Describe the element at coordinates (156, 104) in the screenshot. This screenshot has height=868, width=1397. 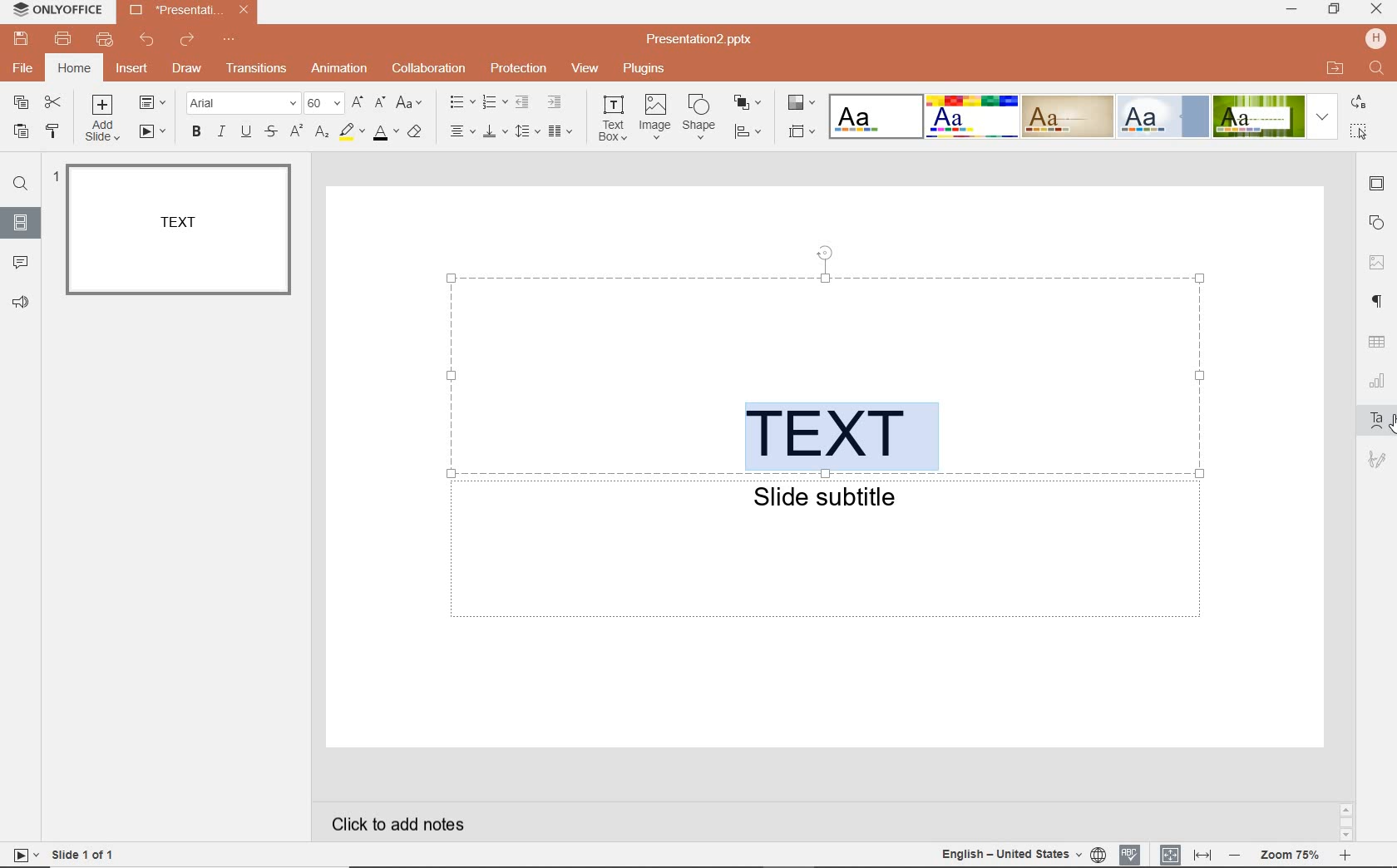
I see `CHANGE SLIDE LAYOUT` at that location.